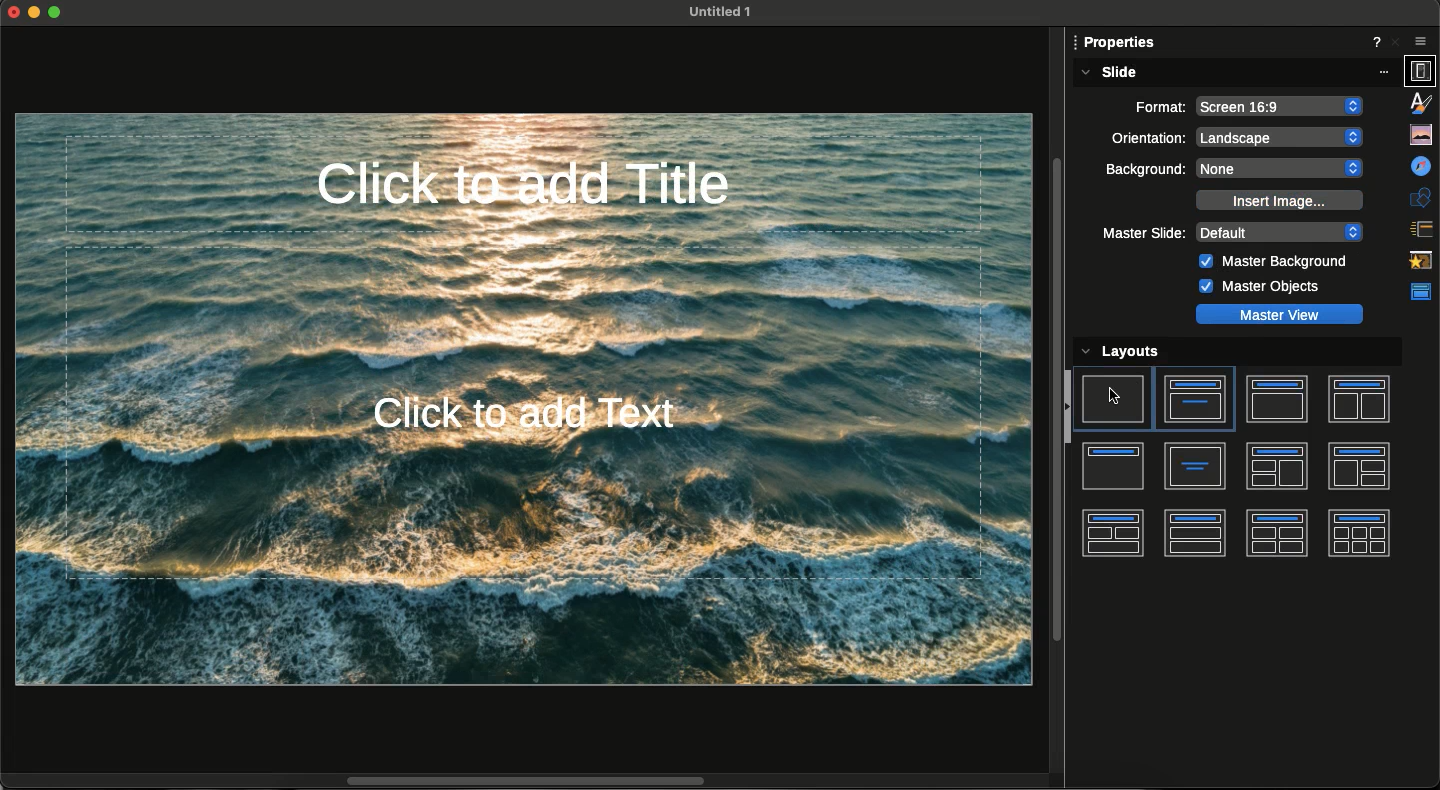 The width and height of the screenshot is (1440, 790). I want to click on Scrollbar, so click(1058, 403).